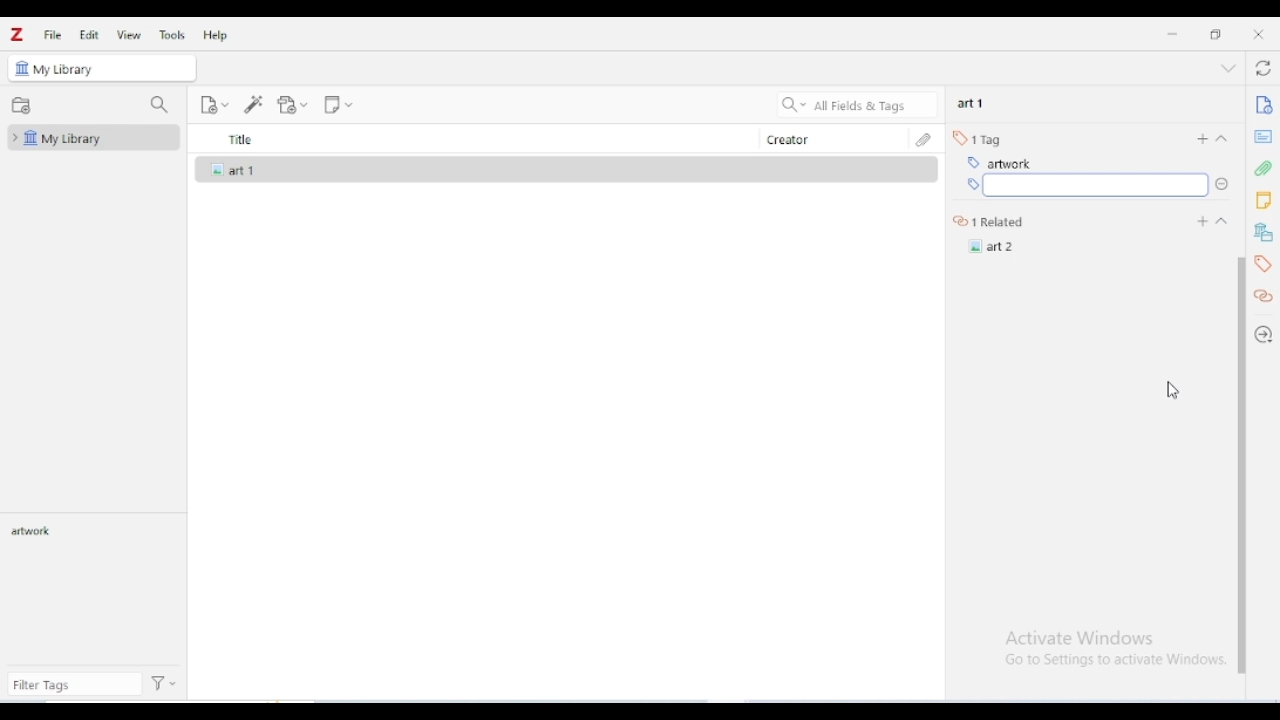  I want to click on 1 related, so click(988, 223).